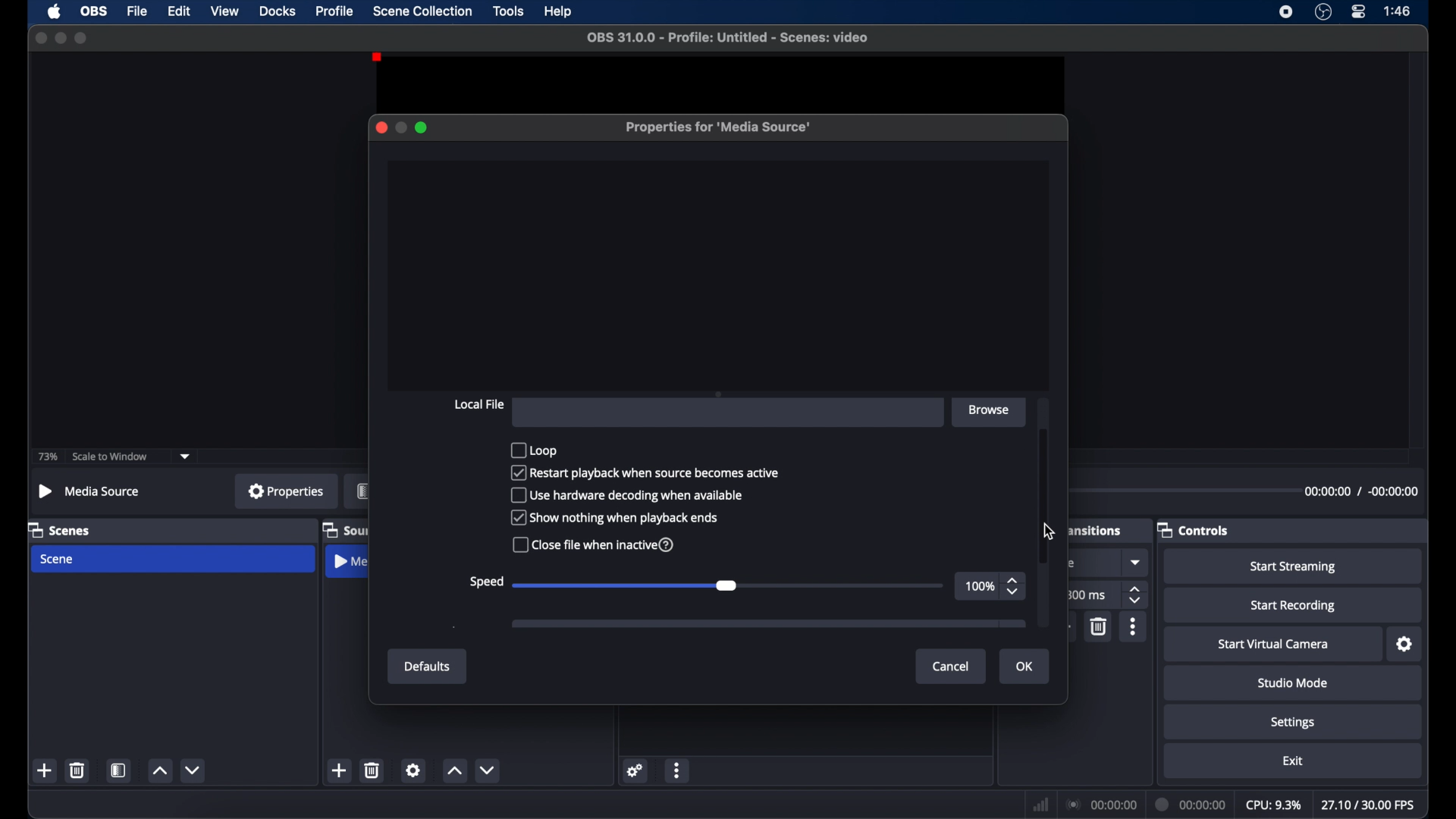  What do you see at coordinates (510, 10) in the screenshot?
I see `tools` at bounding box center [510, 10].